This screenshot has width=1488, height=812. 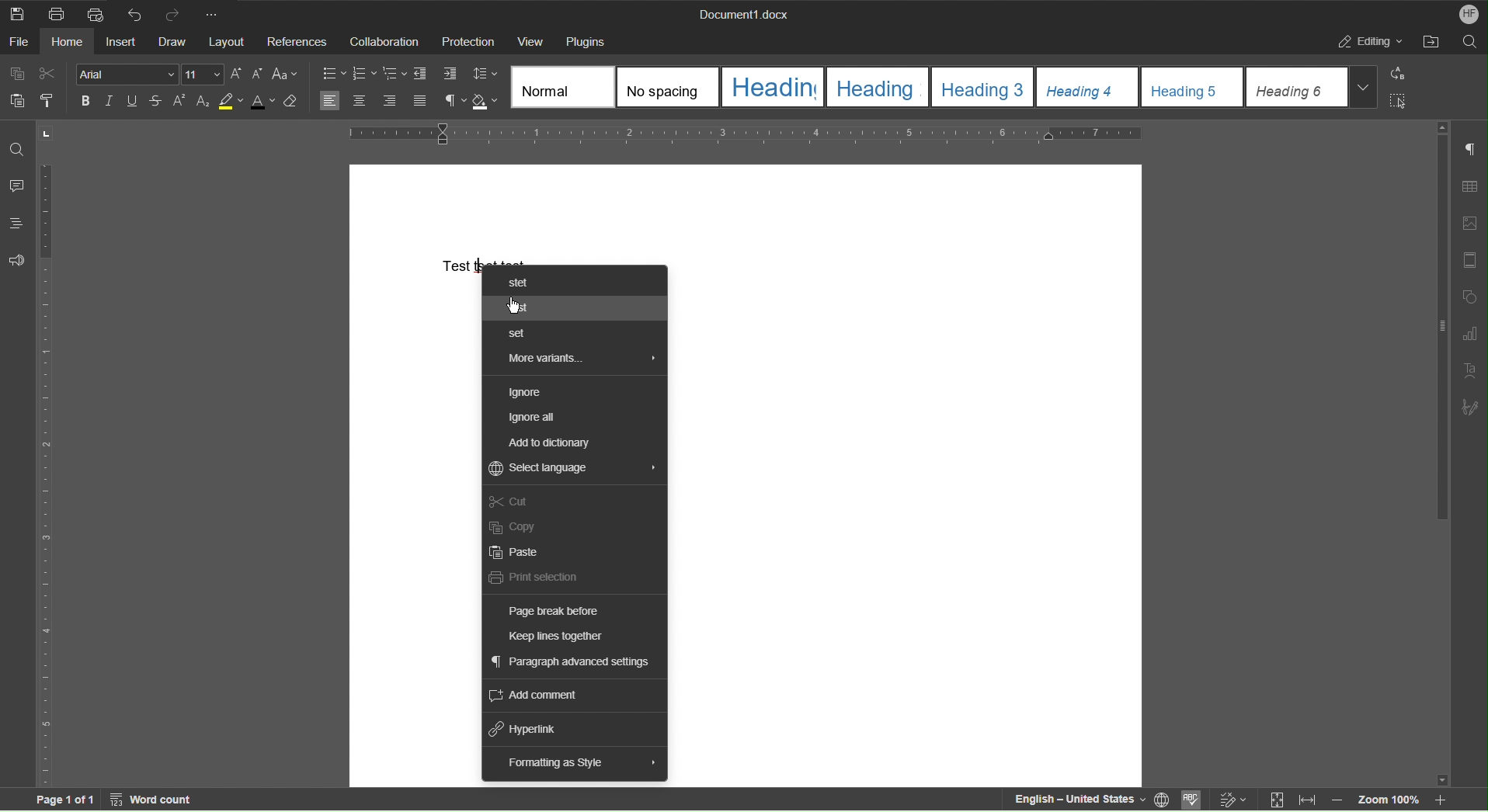 I want to click on Highlight, so click(x=231, y=102).